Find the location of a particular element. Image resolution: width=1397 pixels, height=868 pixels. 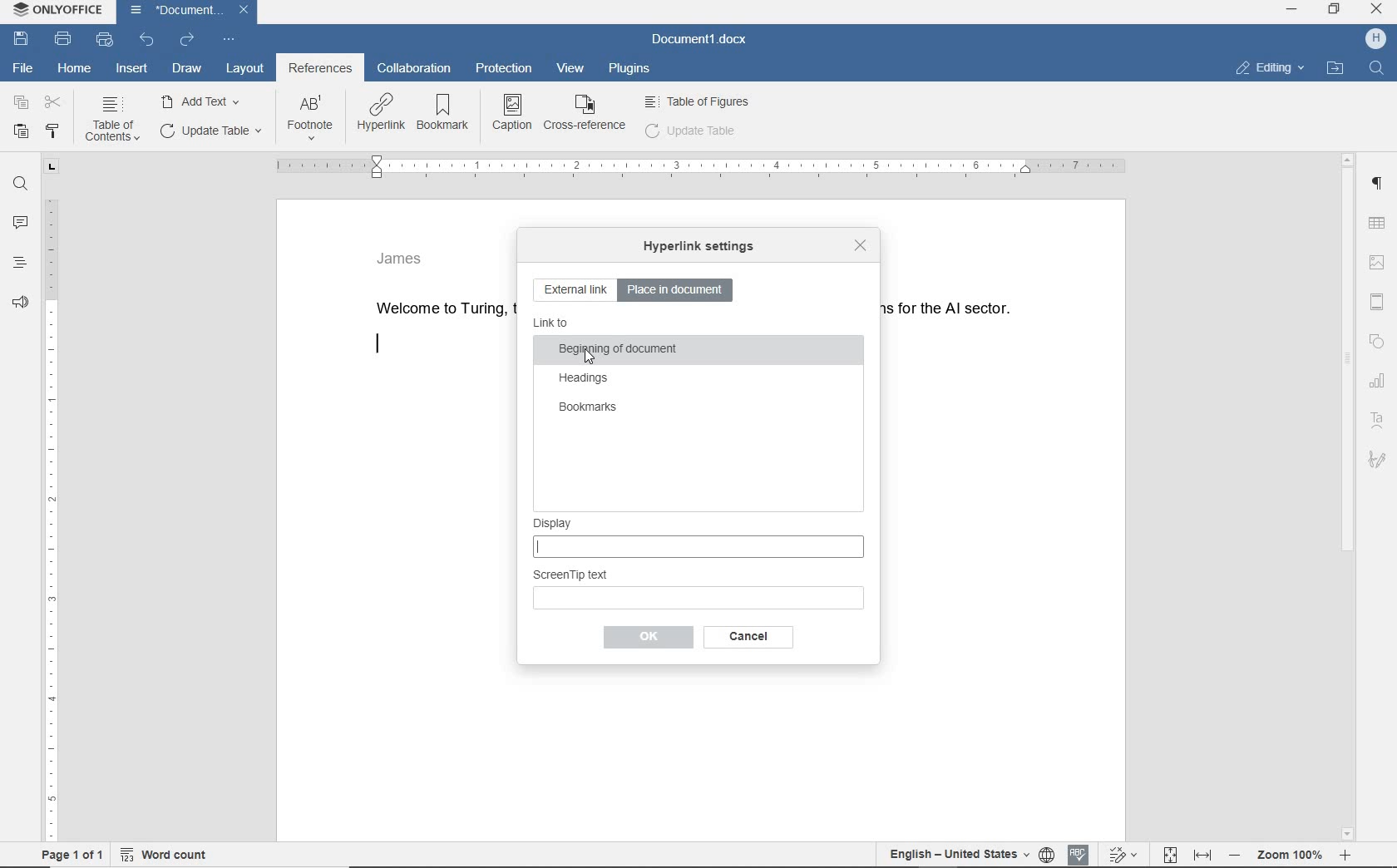

ADD TEXT is located at coordinates (204, 101).